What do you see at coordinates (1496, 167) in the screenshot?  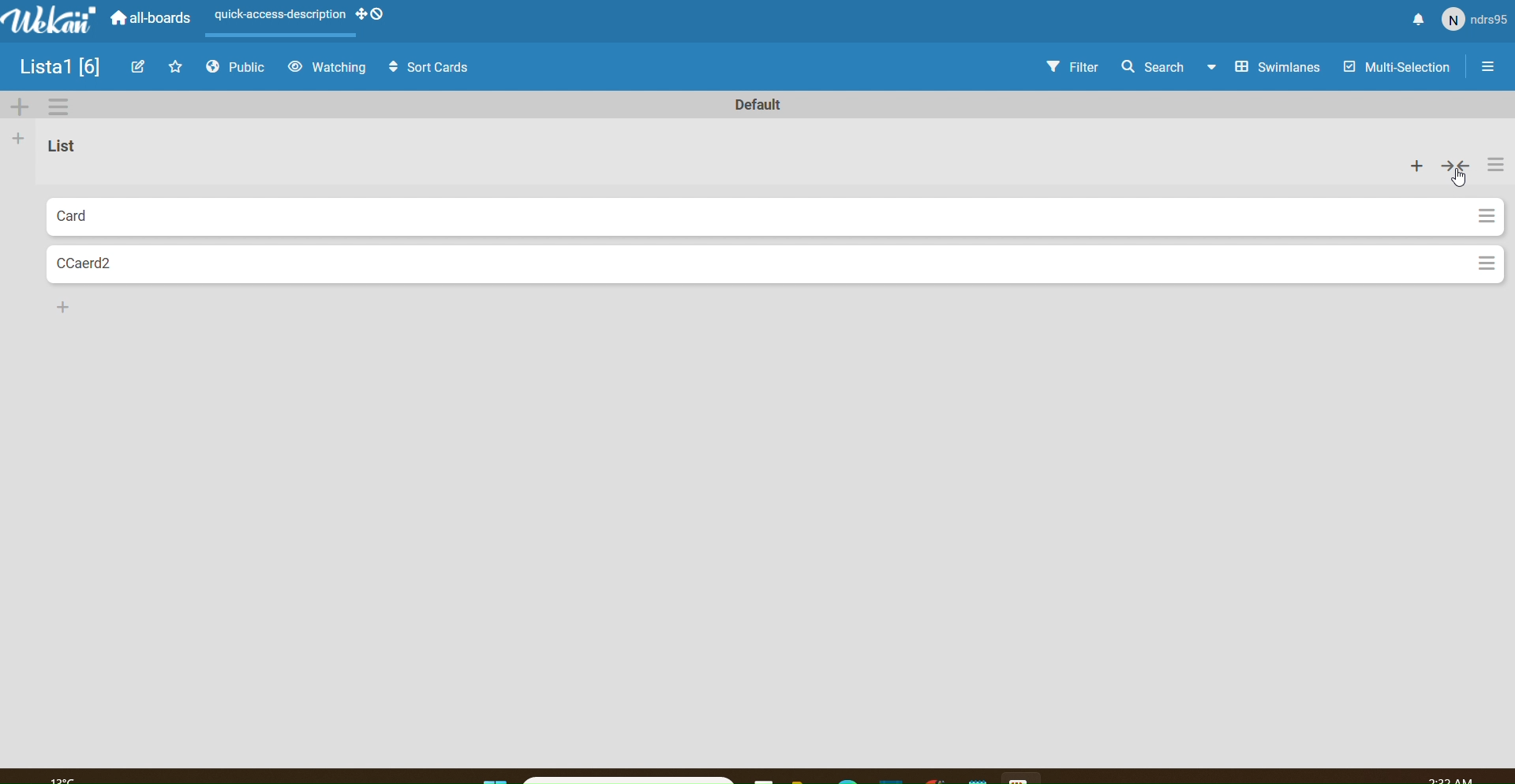 I see `Settings` at bounding box center [1496, 167].